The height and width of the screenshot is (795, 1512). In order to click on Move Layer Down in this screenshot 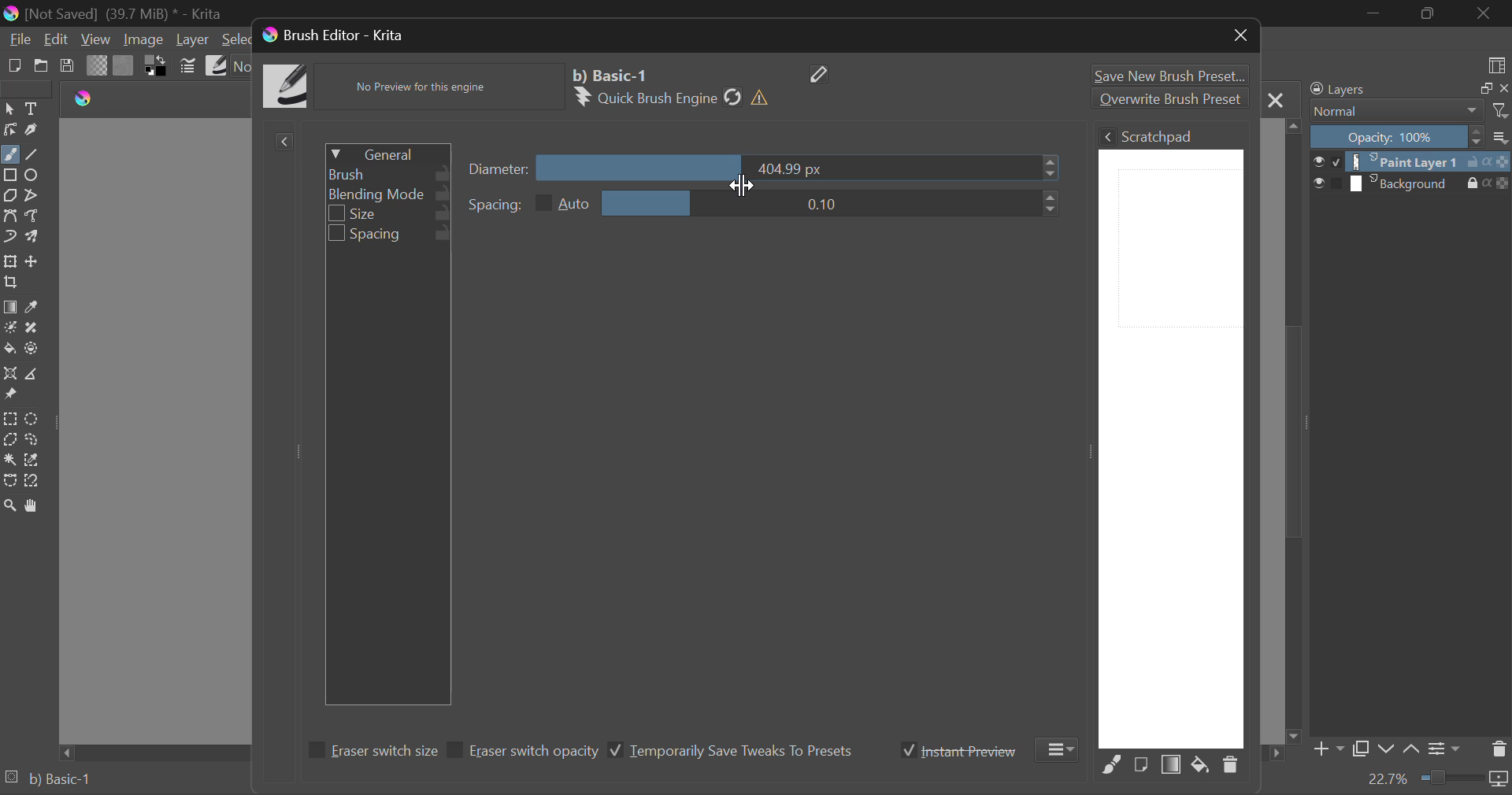, I will do `click(1388, 749)`.